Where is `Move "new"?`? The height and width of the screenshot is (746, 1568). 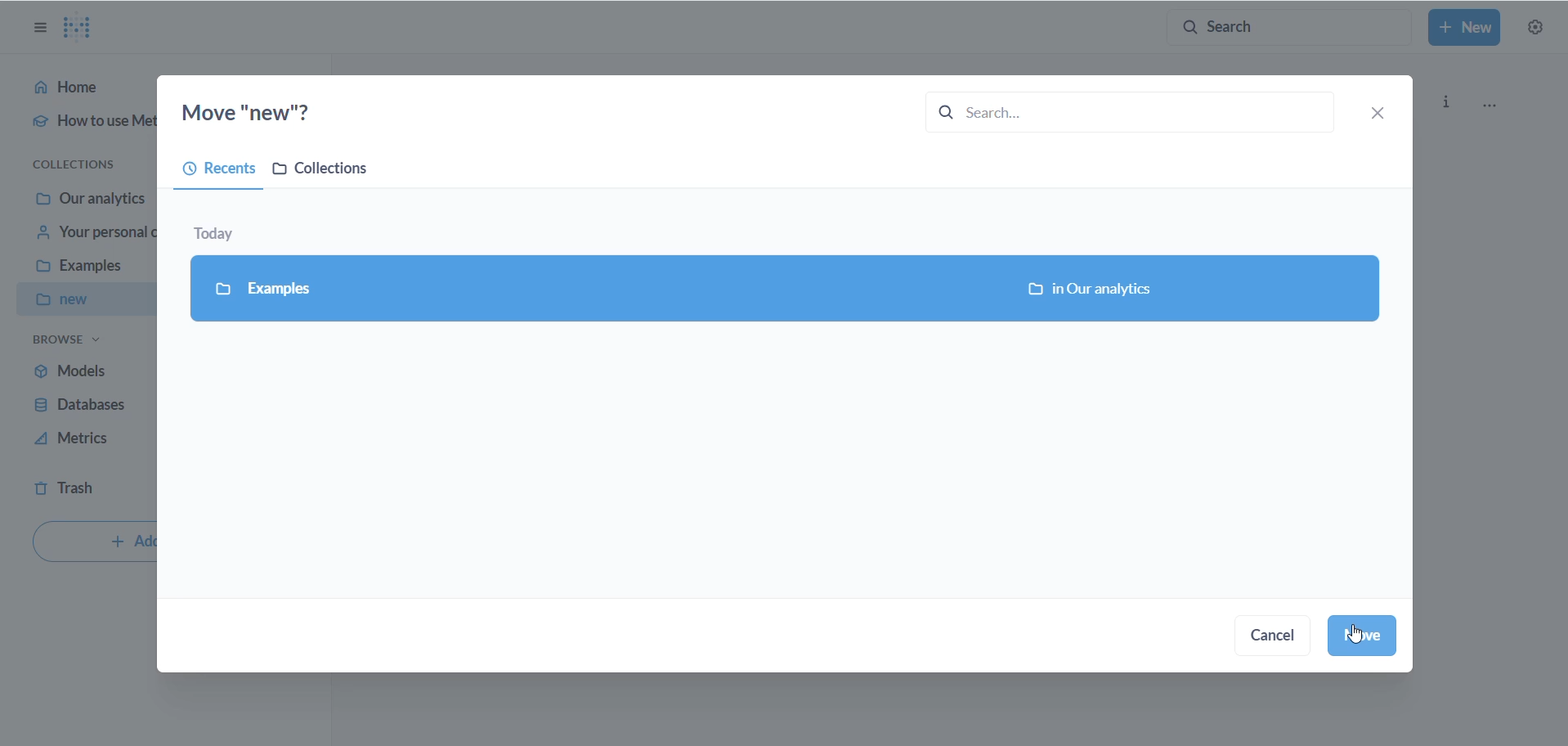 Move "new"? is located at coordinates (263, 110).